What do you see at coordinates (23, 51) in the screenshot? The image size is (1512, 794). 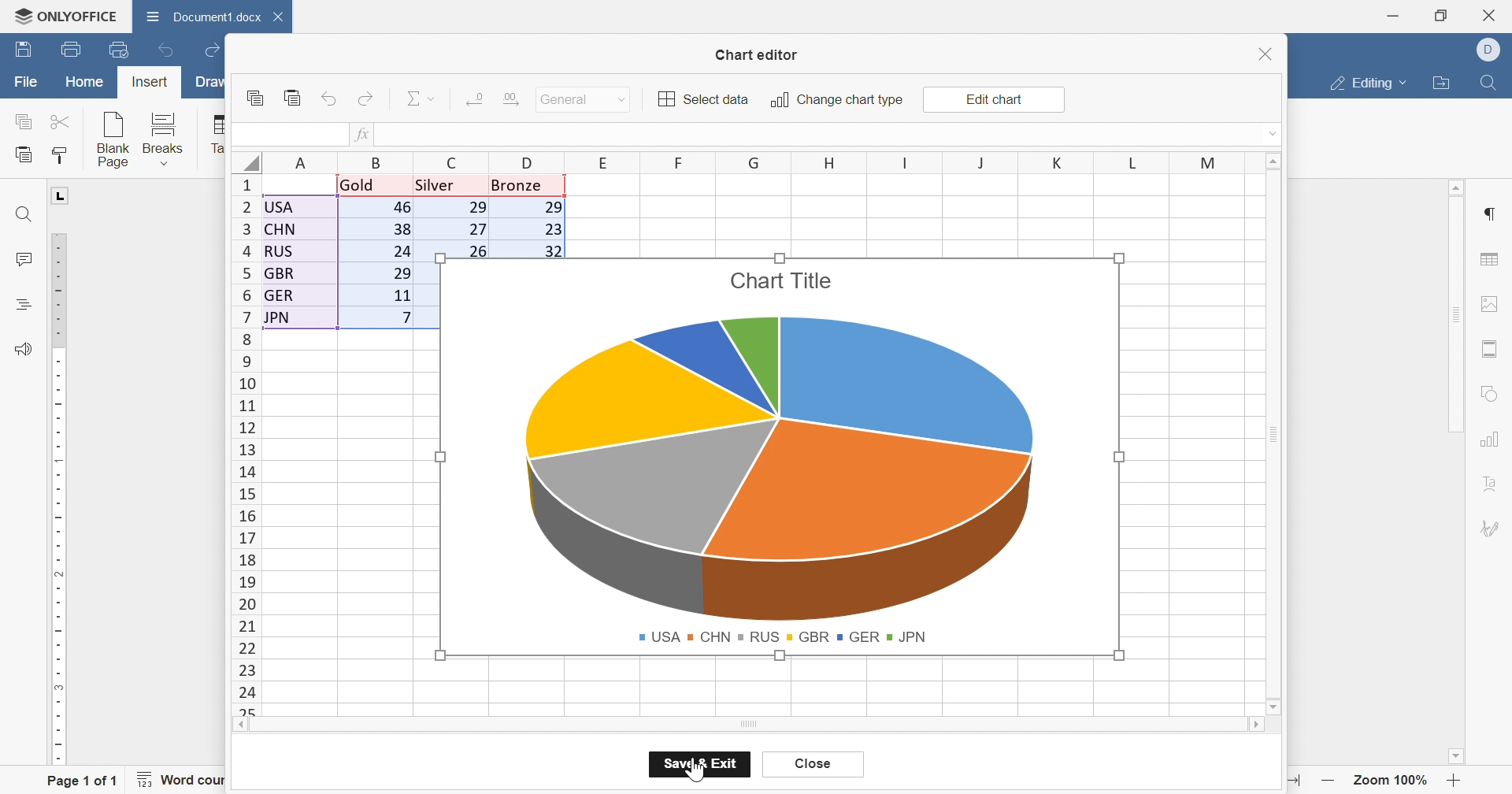 I see `Save` at bounding box center [23, 51].